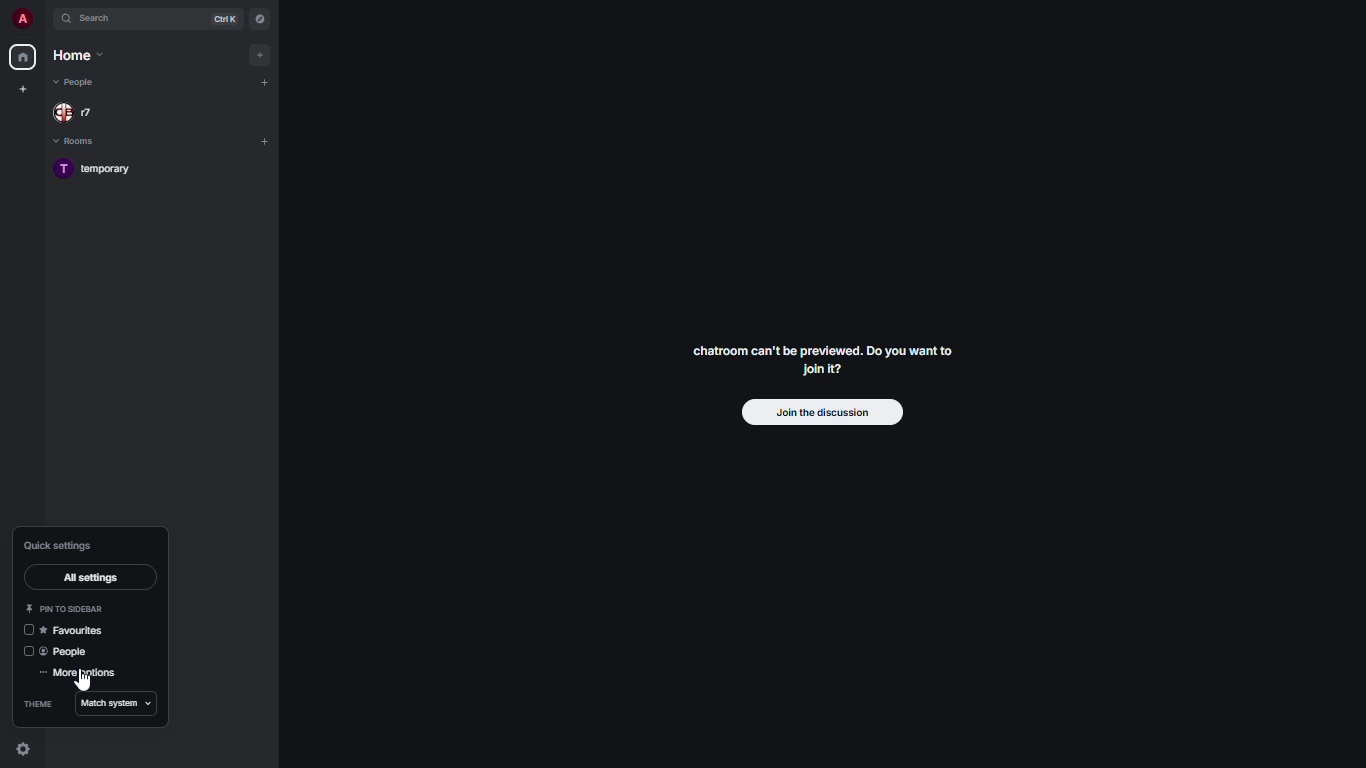 Image resolution: width=1366 pixels, height=768 pixels. What do you see at coordinates (258, 20) in the screenshot?
I see `navigator` at bounding box center [258, 20].